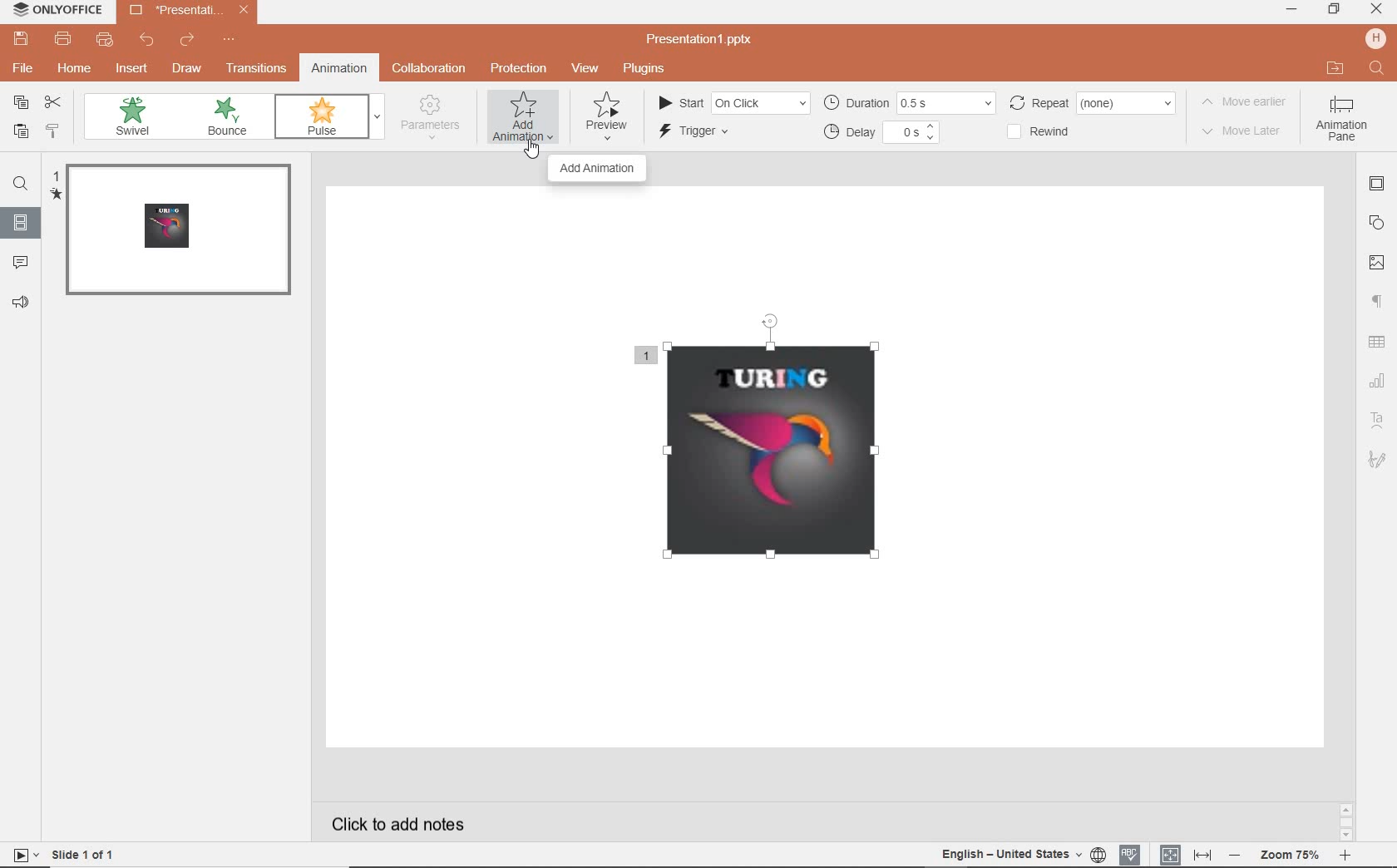  I want to click on copy style, so click(54, 131).